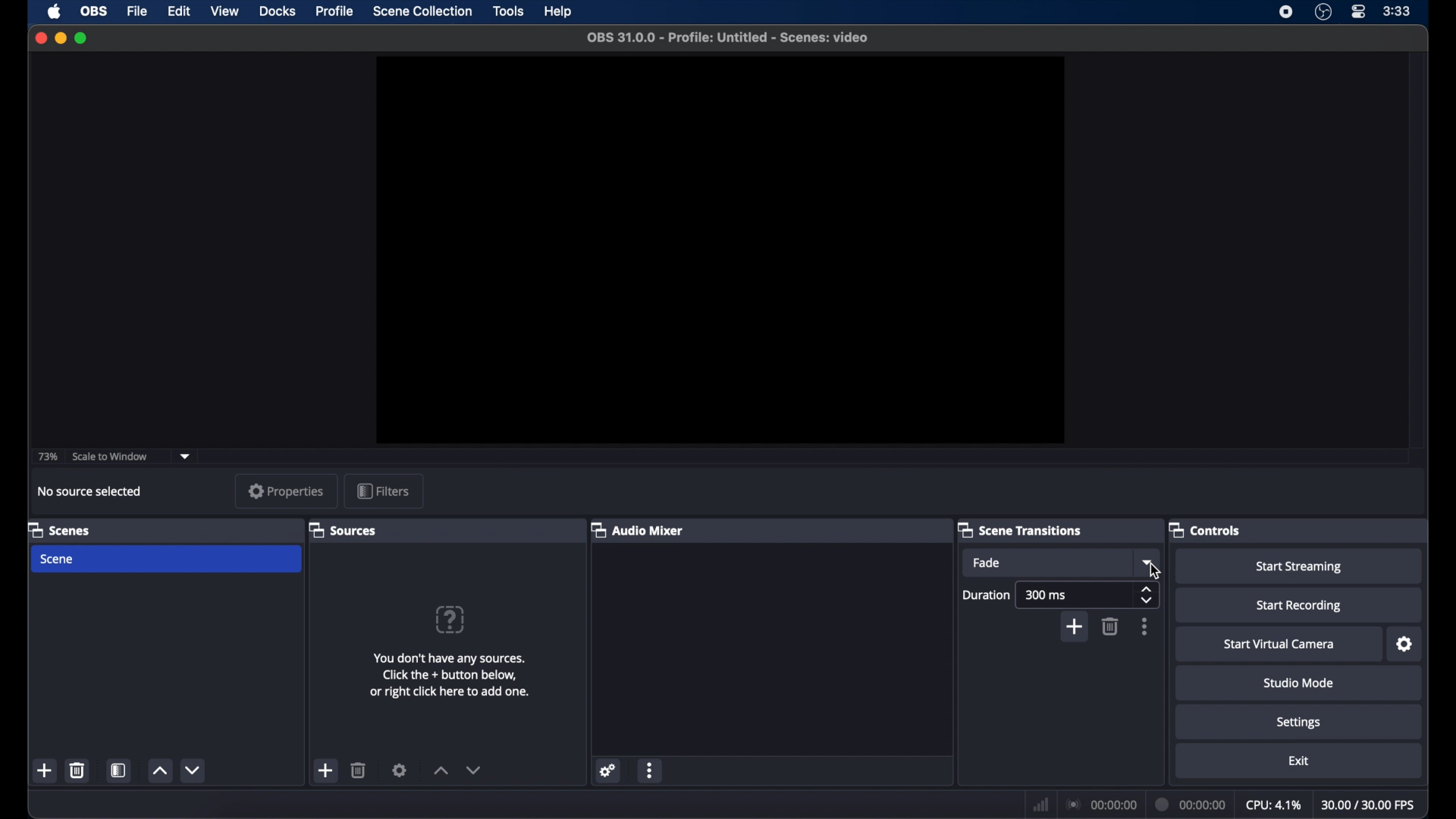  What do you see at coordinates (1286, 12) in the screenshot?
I see `screen recording icon` at bounding box center [1286, 12].